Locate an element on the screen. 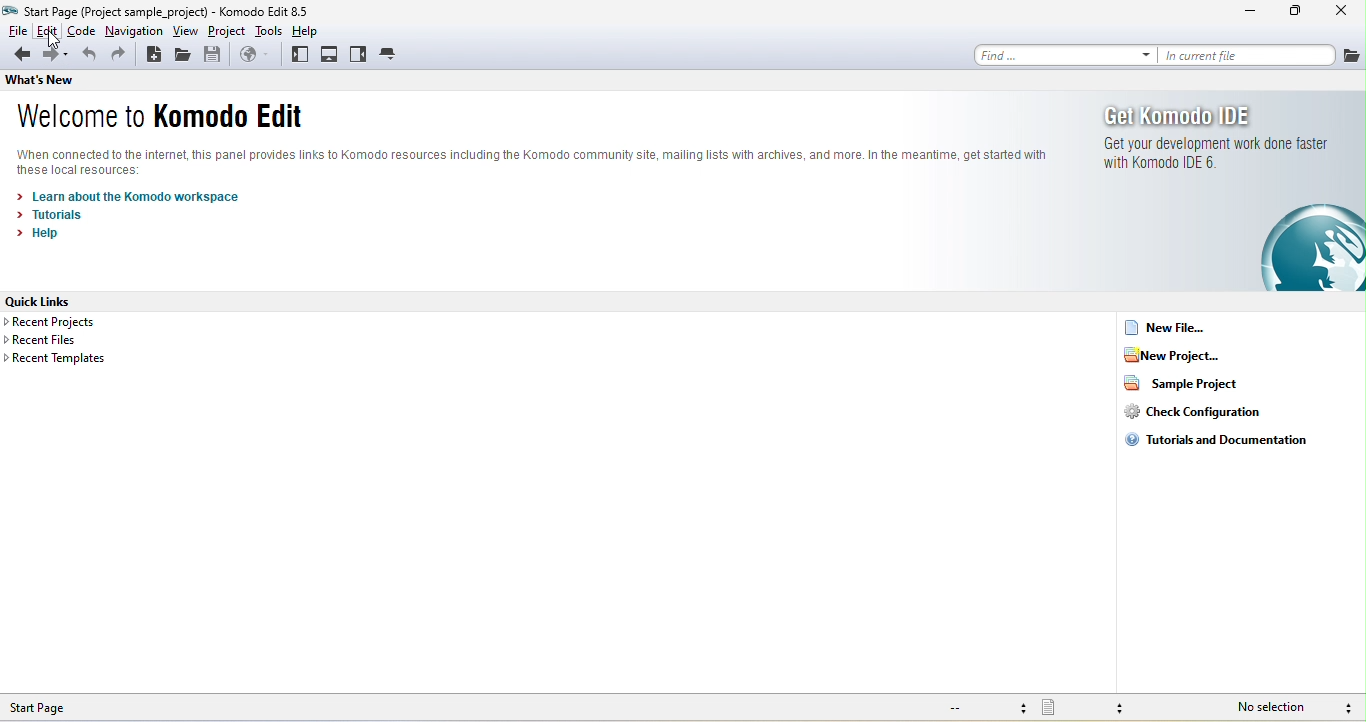 This screenshot has width=1366, height=722. file is located at coordinates (15, 31).